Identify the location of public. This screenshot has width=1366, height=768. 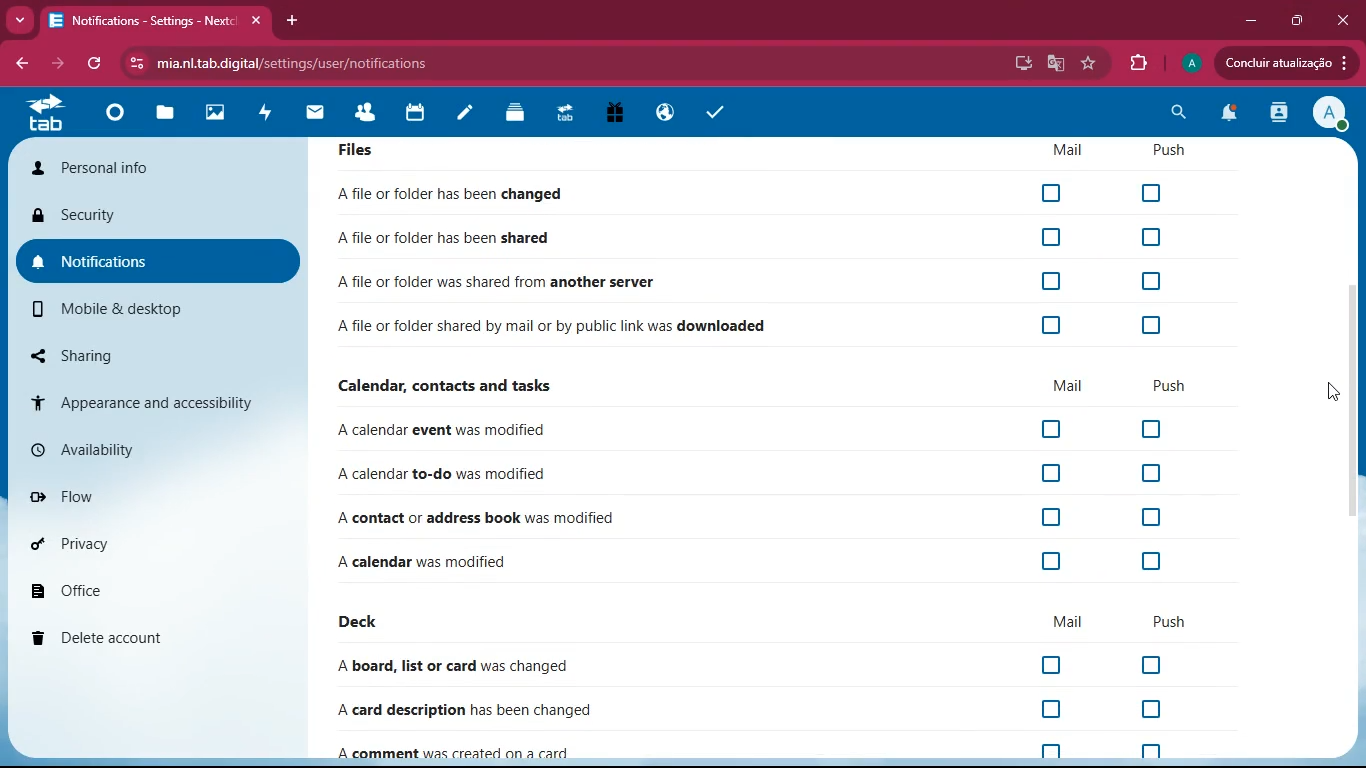
(669, 113).